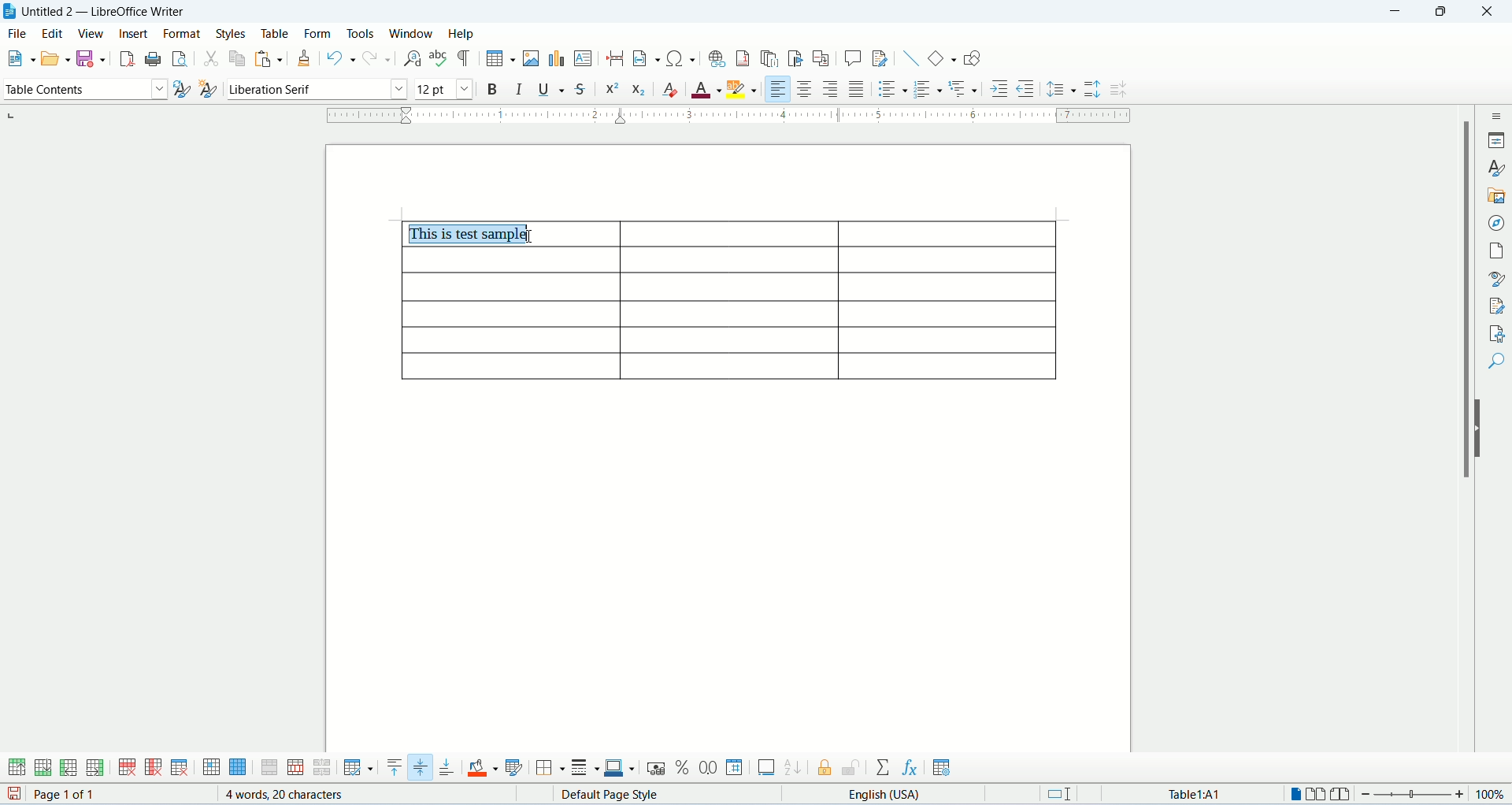  Describe the element at coordinates (1343, 795) in the screenshot. I see `book view` at that location.